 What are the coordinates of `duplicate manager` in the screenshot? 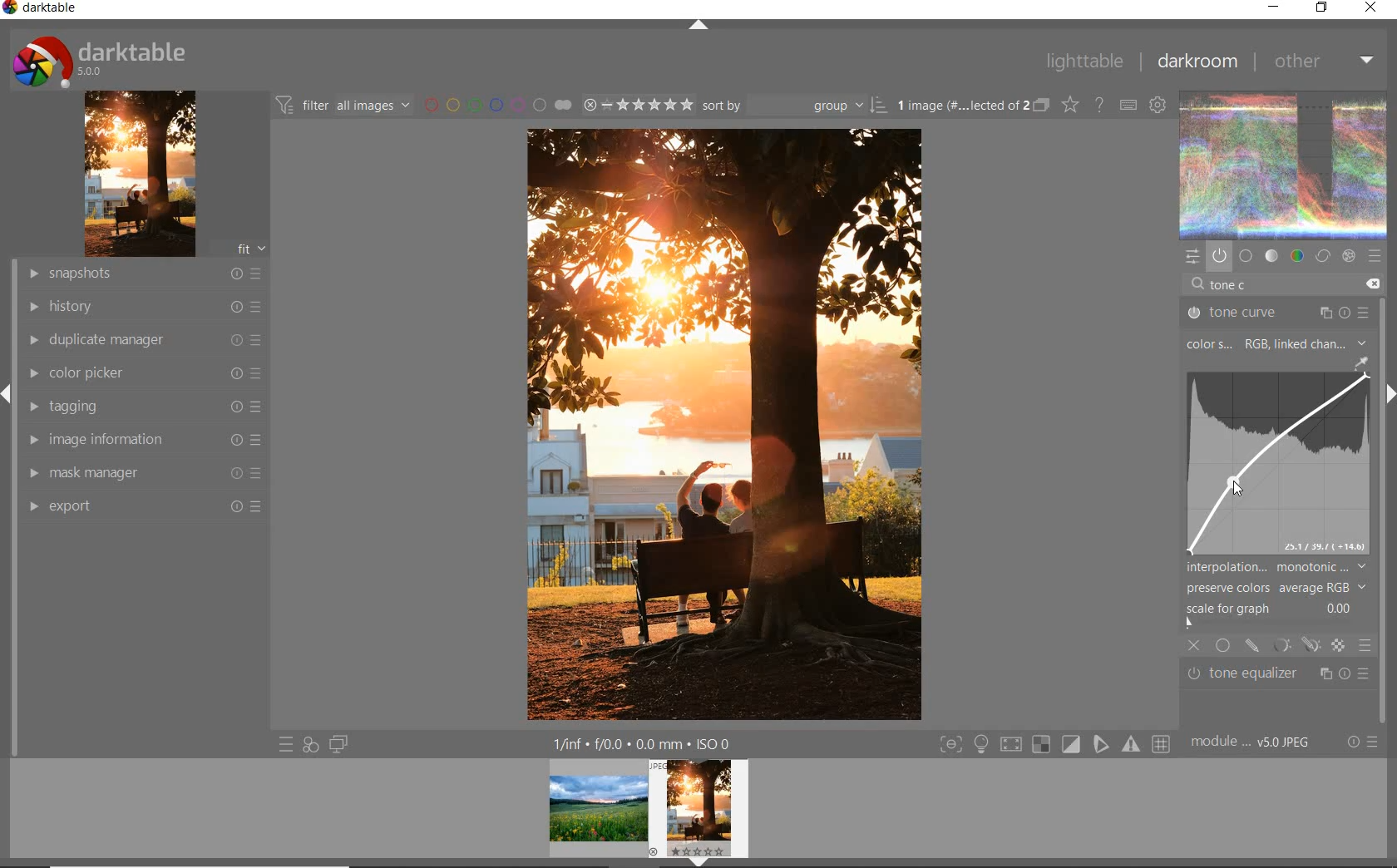 It's located at (137, 340).